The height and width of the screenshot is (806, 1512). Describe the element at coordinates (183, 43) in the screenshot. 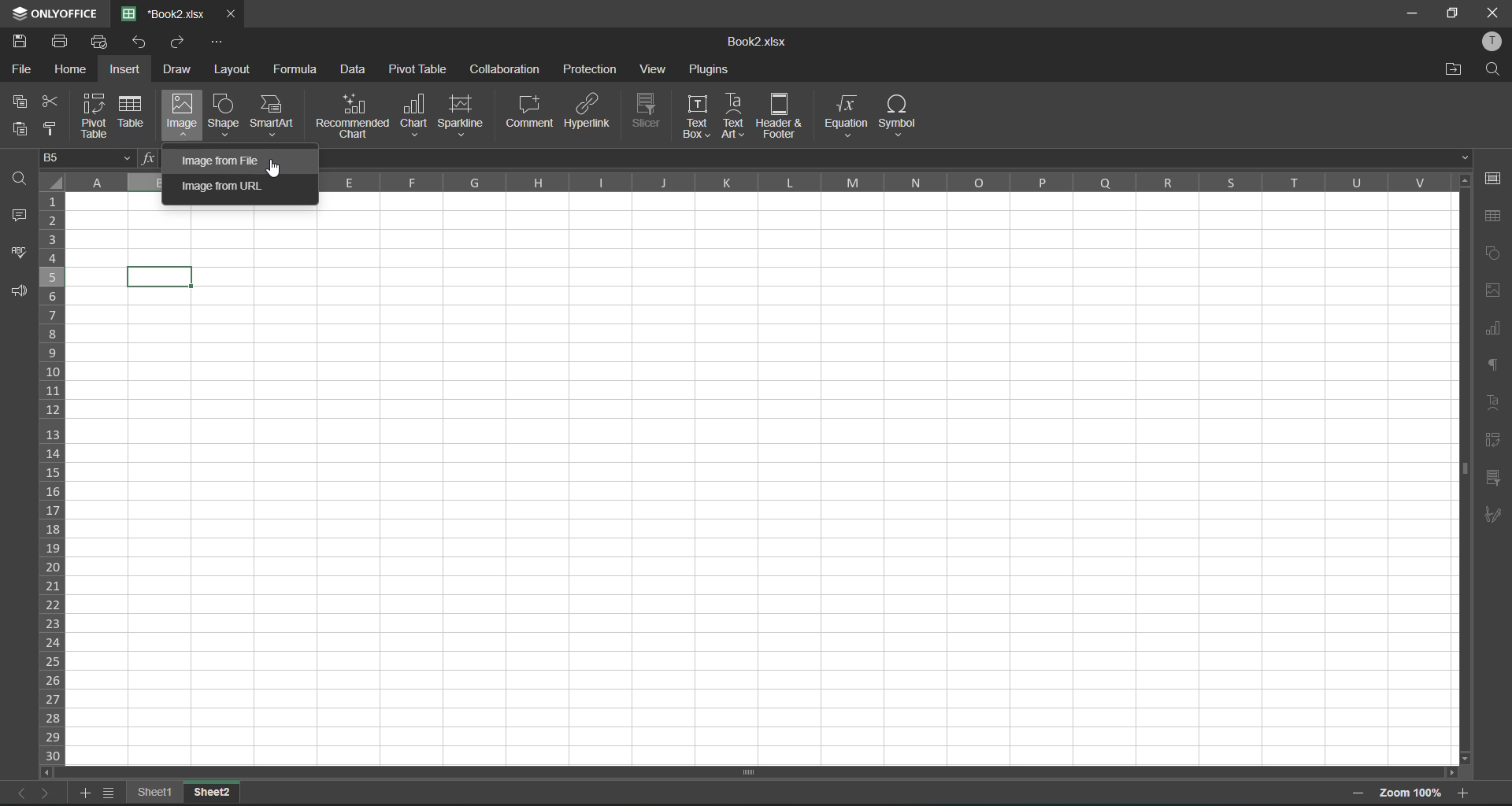

I see `redo` at that location.